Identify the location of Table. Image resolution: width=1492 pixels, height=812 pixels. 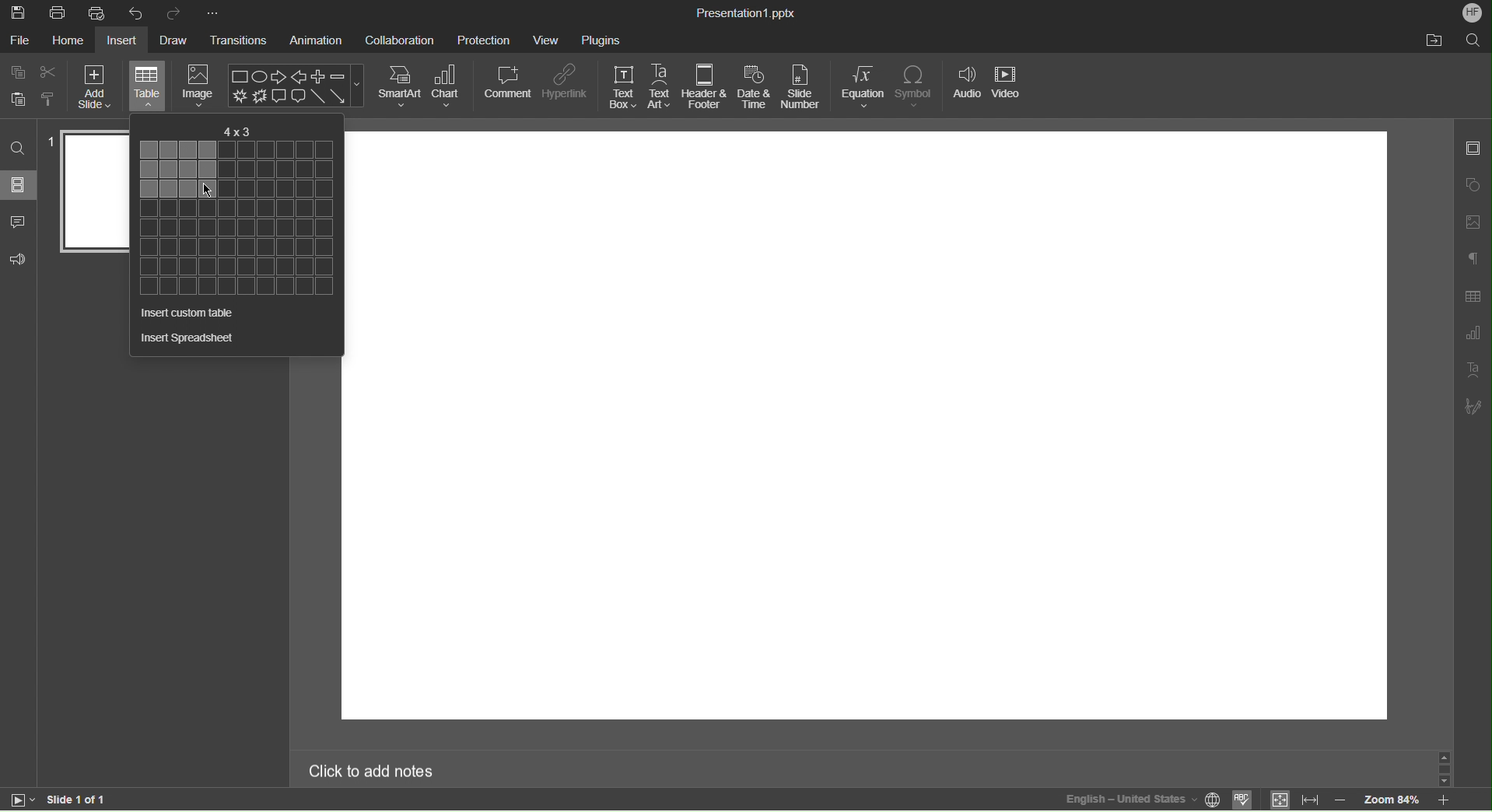
(148, 86).